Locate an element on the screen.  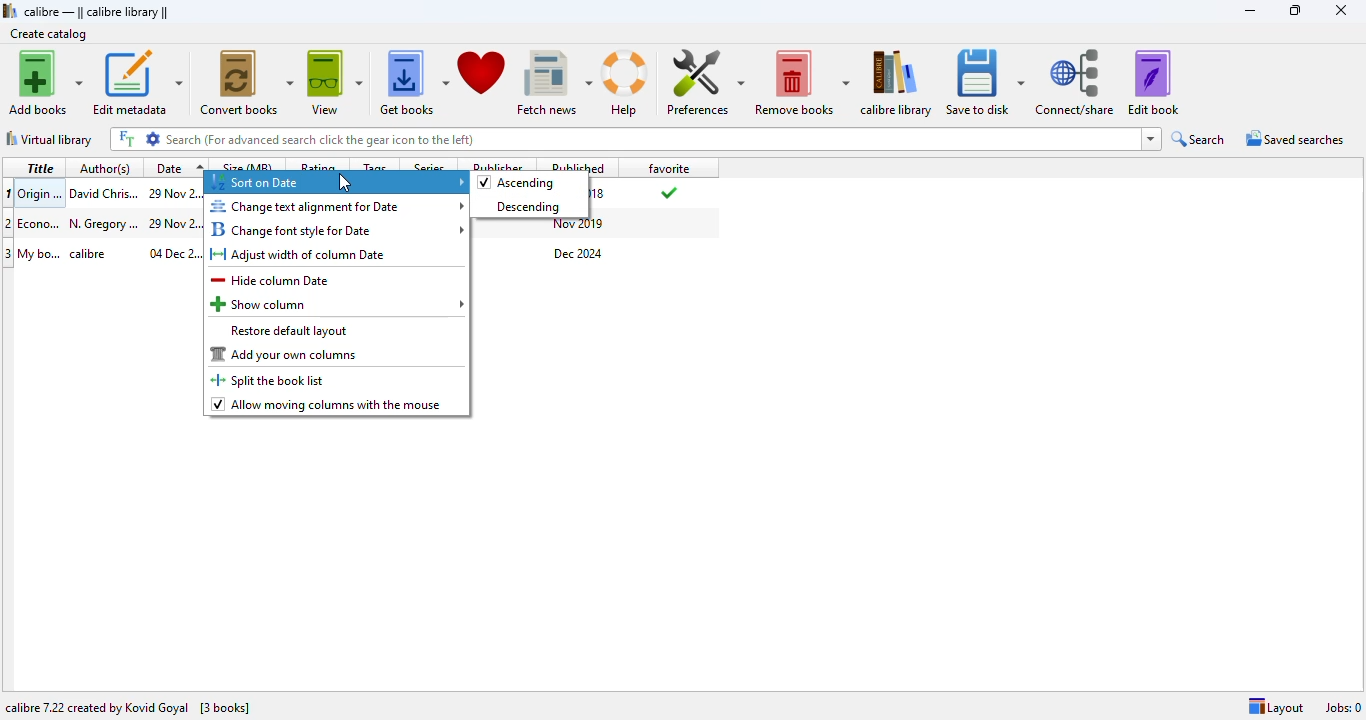
preferences is located at coordinates (705, 82).